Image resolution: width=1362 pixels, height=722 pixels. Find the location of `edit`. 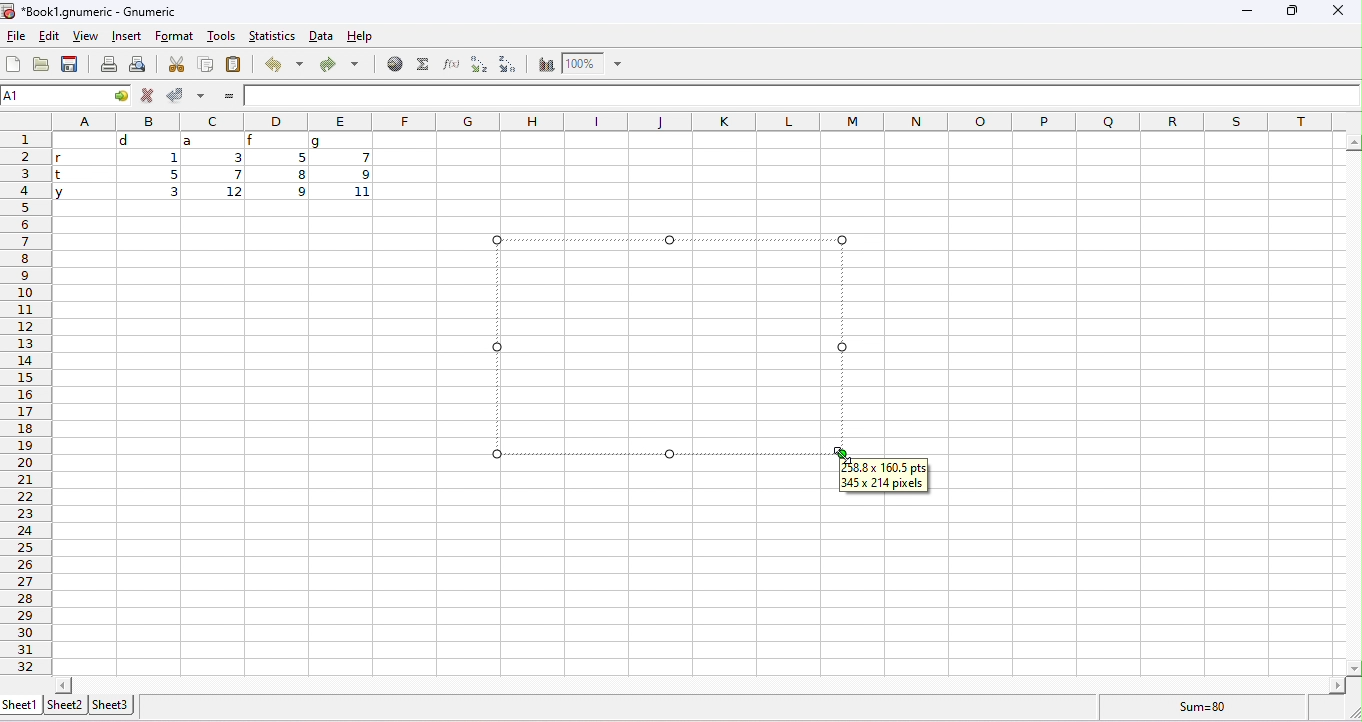

edit is located at coordinates (51, 37).